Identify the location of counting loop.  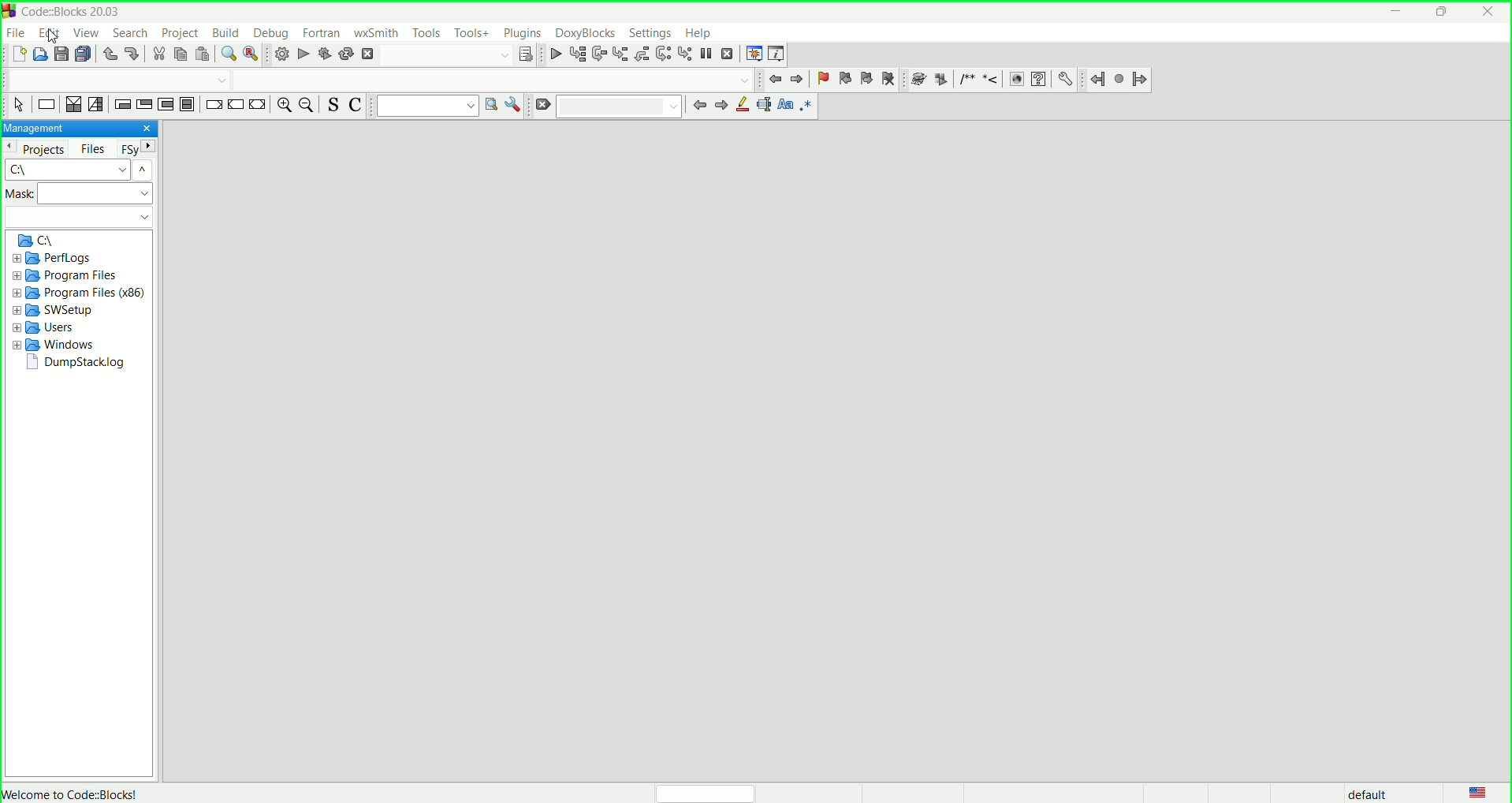
(166, 103).